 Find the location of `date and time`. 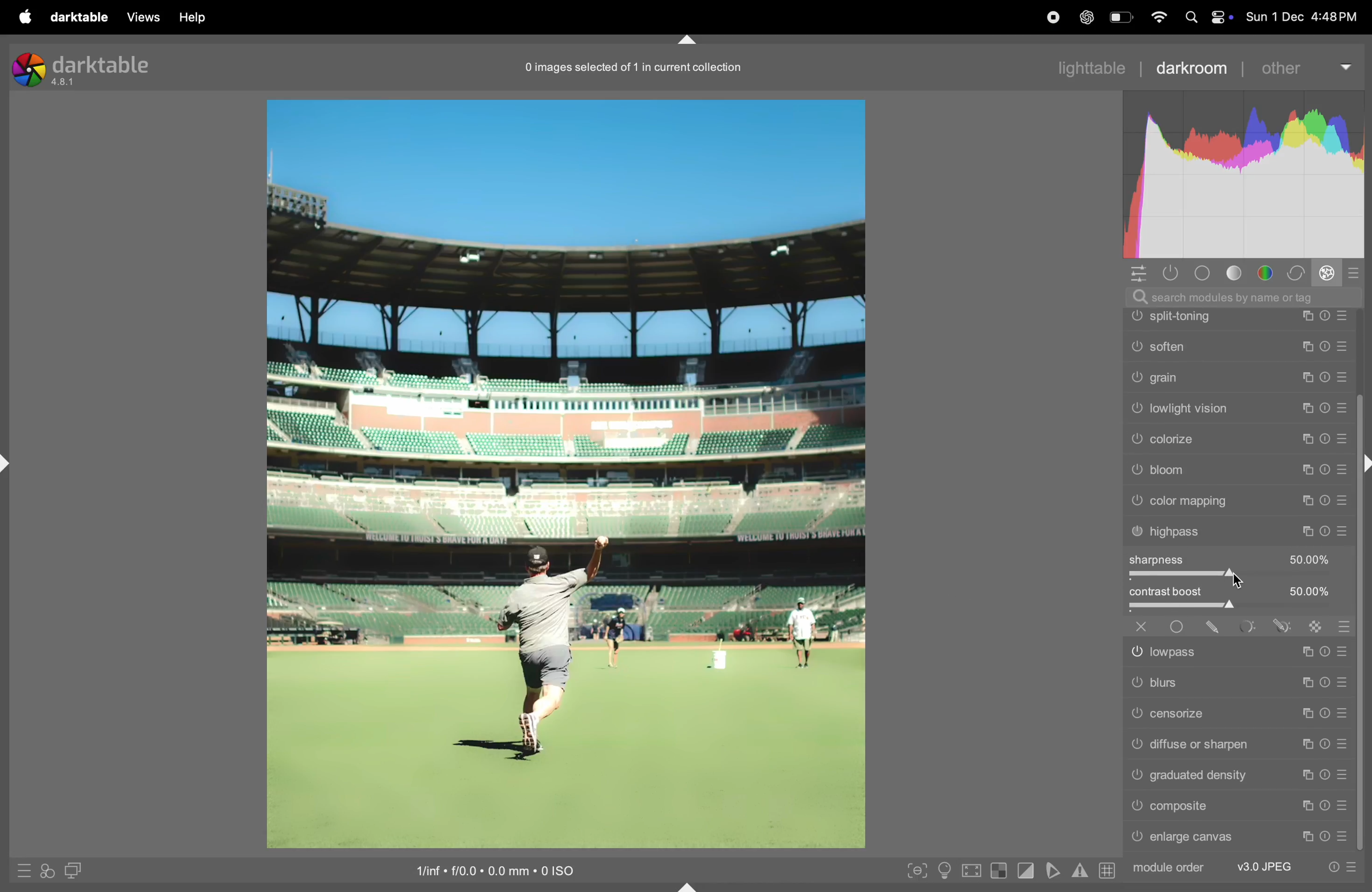

date and time is located at coordinates (1305, 17).